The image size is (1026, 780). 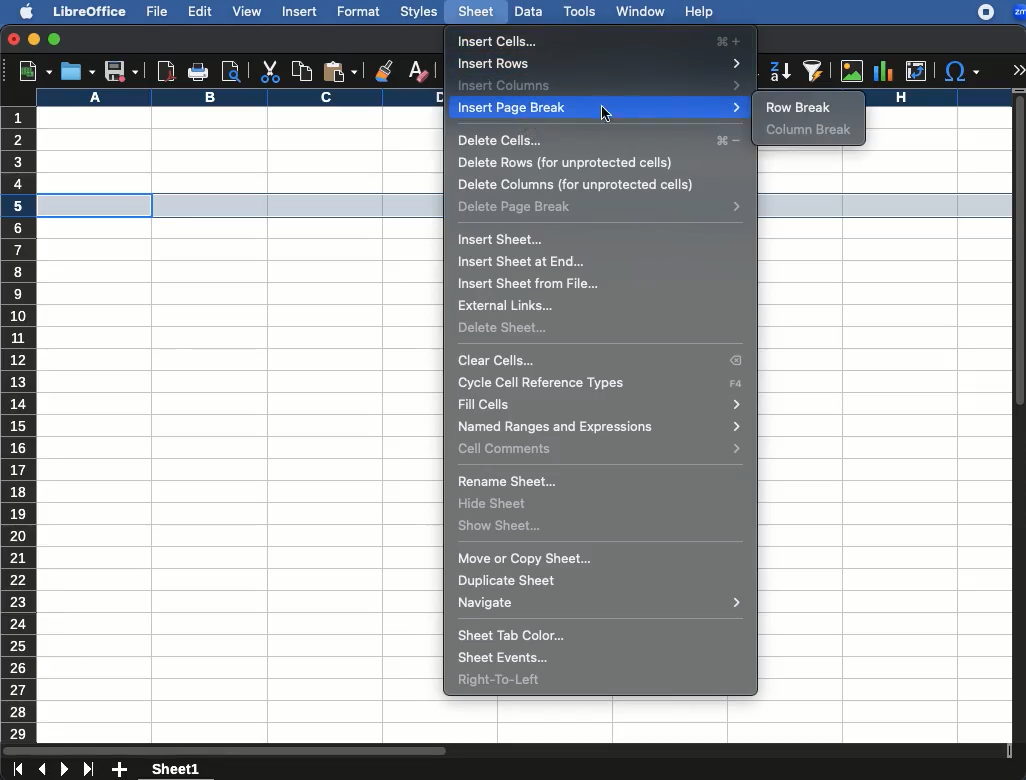 What do you see at coordinates (500, 681) in the screenshot?
I see `right to left` at bounding box center [500, 681].